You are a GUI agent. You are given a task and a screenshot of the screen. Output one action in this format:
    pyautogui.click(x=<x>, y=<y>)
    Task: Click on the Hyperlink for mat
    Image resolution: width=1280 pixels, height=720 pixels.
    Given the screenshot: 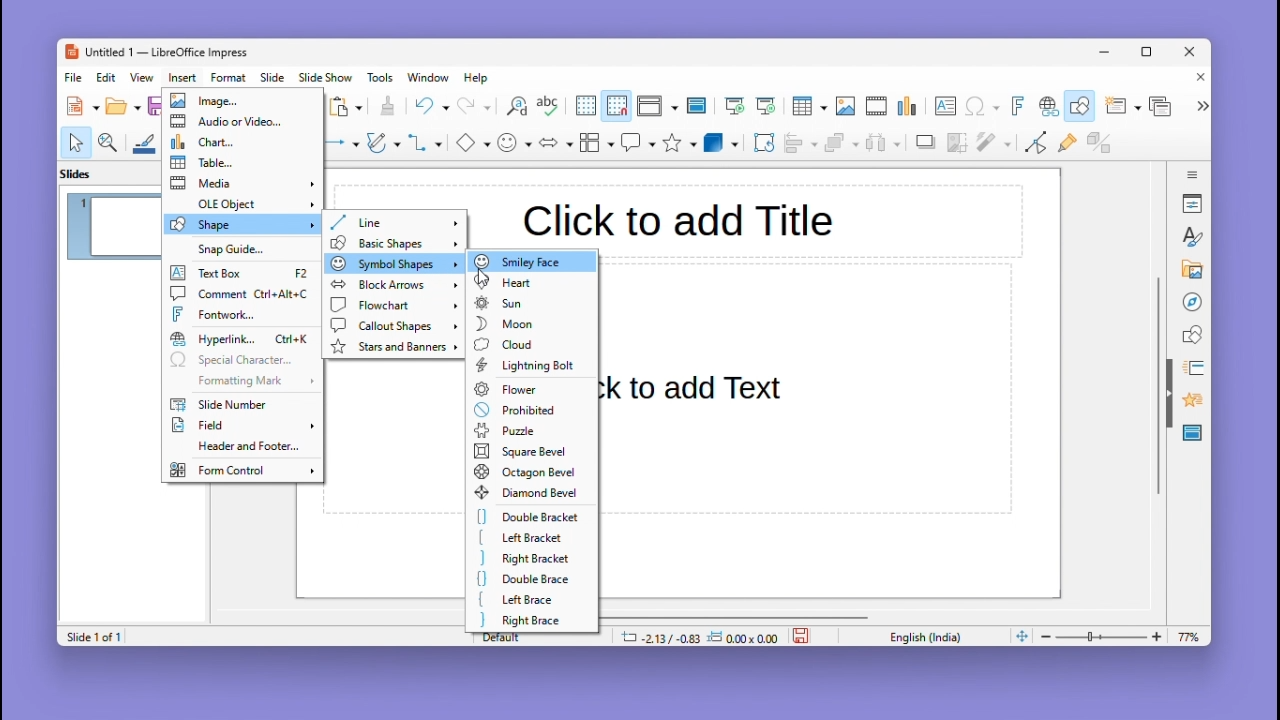 What is the action you would take?
    pyautogui.click(x=243, y=339)
    